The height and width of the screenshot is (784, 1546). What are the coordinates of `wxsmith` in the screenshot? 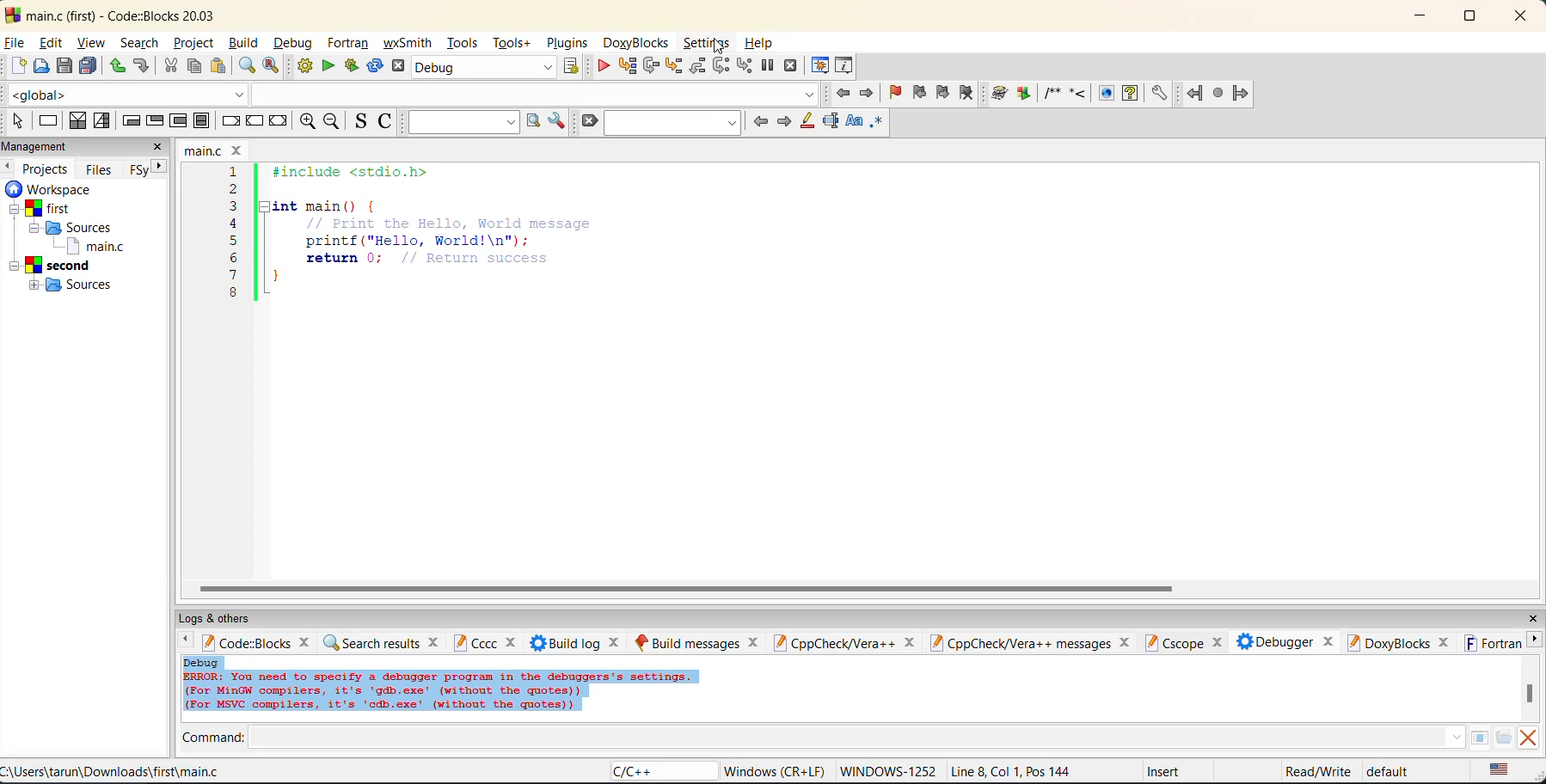 It's located at (408, 44).